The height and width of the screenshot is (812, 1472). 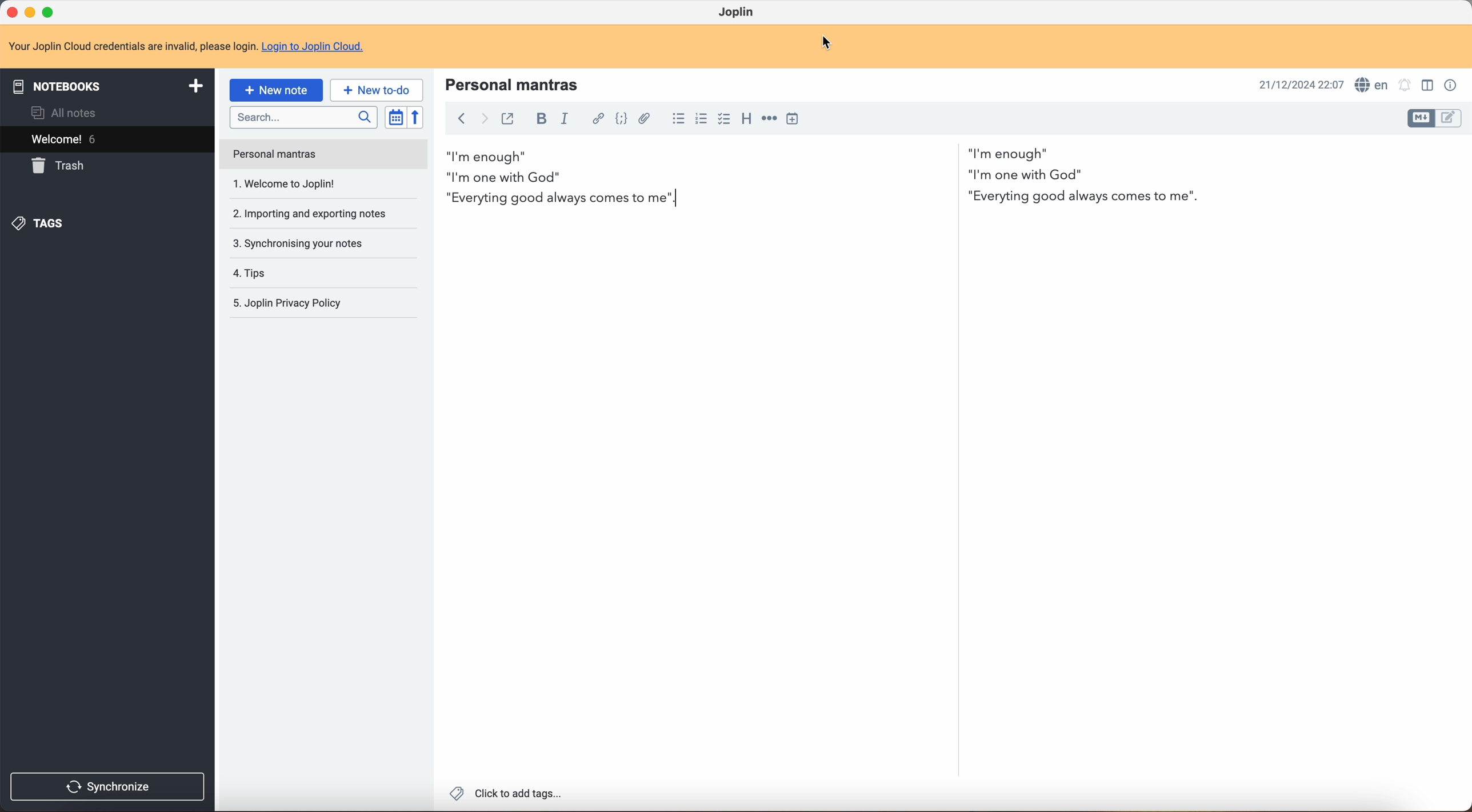 I want to click on horizontal rule, so click(x=770, y=121).